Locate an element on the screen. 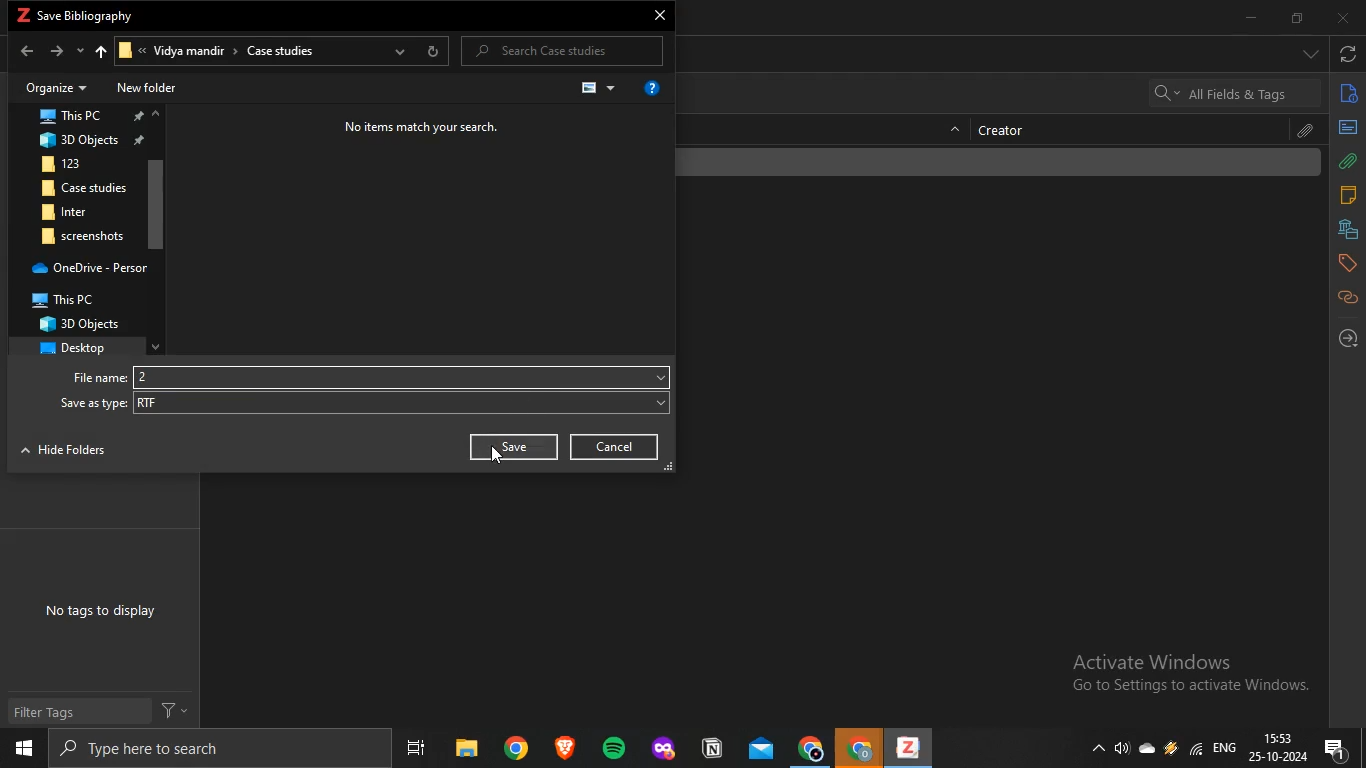  No items match your search. is located at coordinates (426, 131).